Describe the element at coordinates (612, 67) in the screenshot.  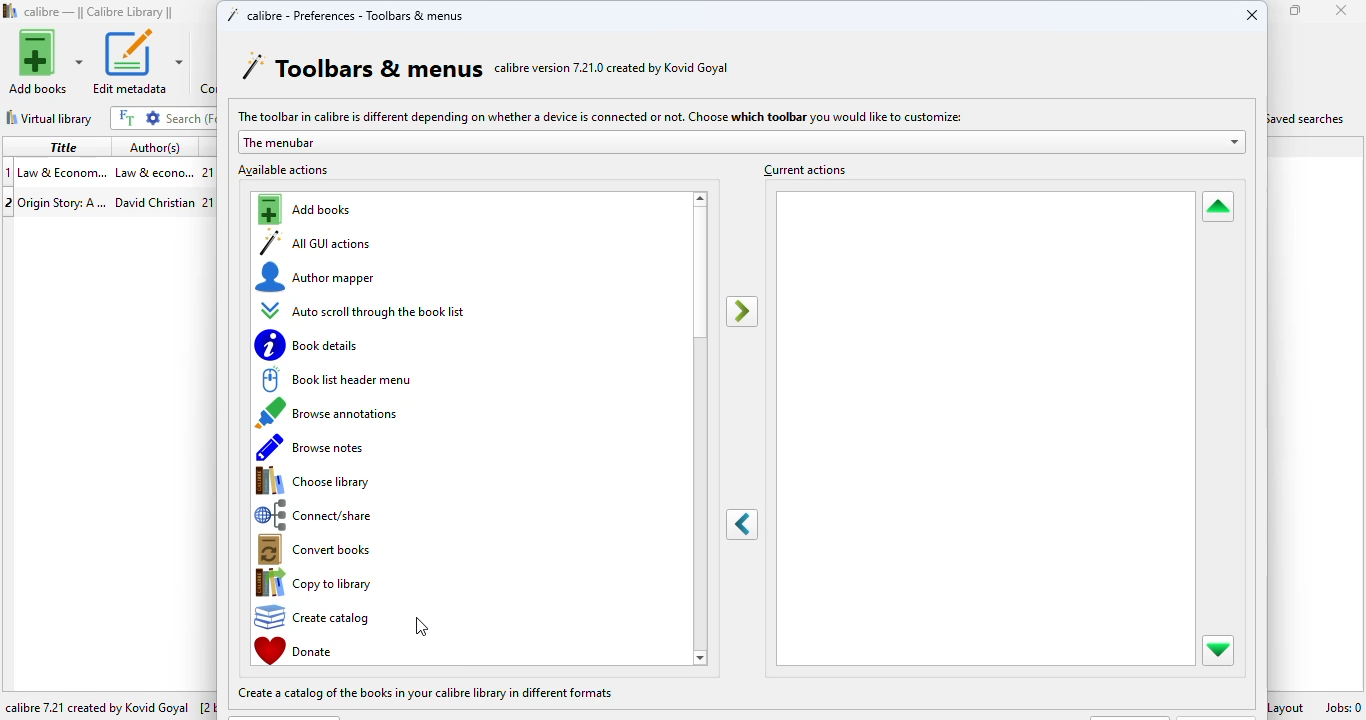
I see `calibre version 7.21.0 created by Kovid Goyal` at that location.